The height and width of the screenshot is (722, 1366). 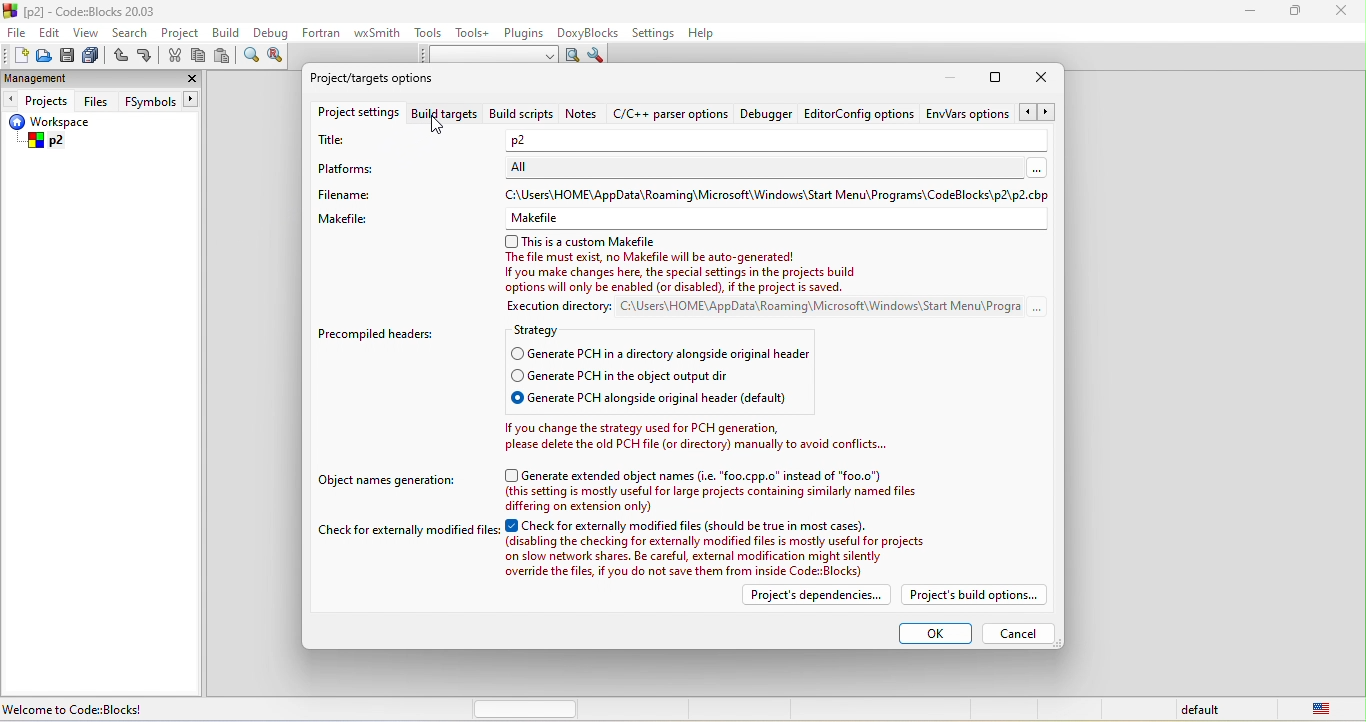 I want to click on env option, so click(x=989, y=115).